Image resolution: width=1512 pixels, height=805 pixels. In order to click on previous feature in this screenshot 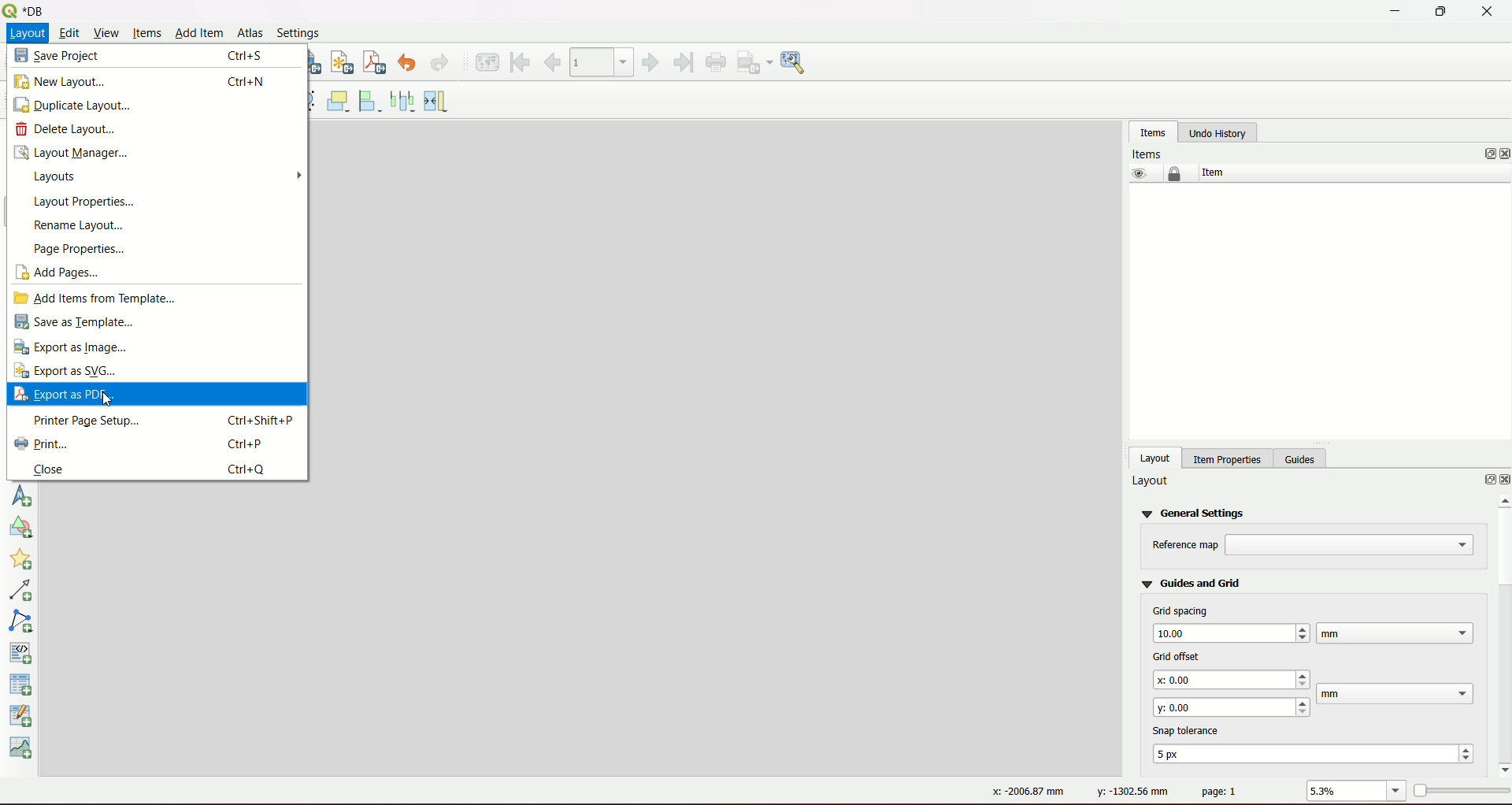, I will do `click(554, 62)`.